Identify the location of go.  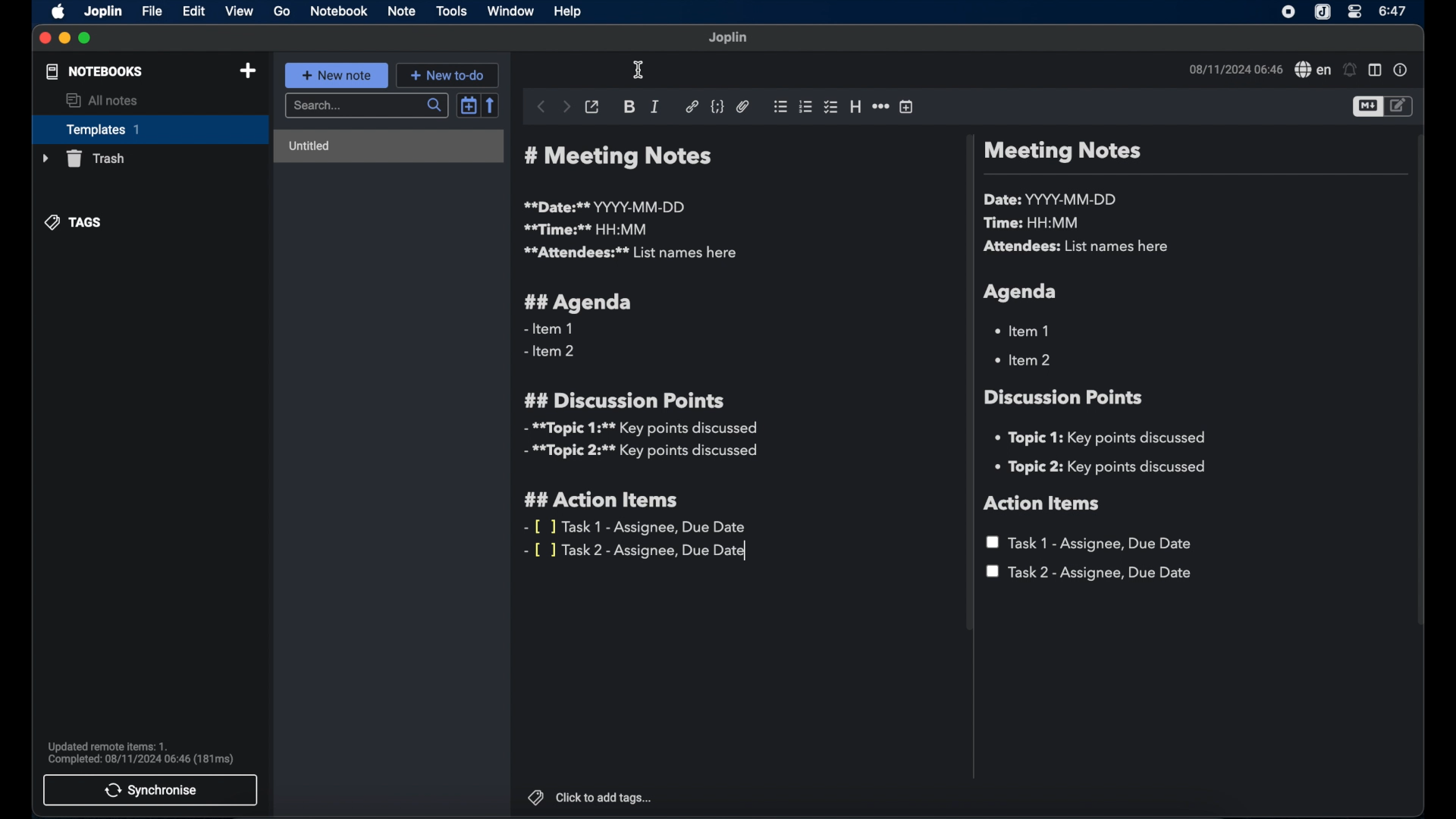
(282, 11).